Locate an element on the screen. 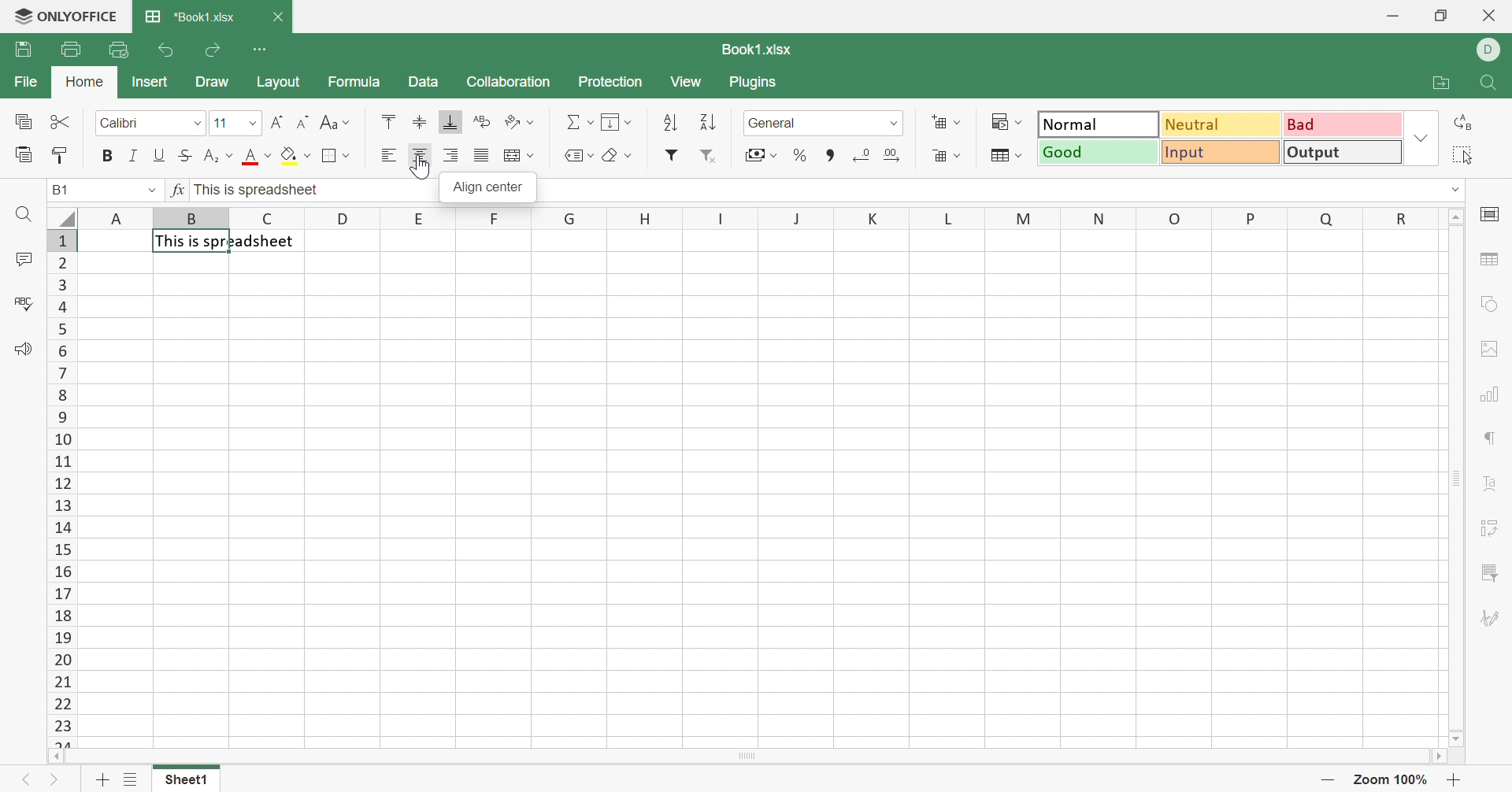 The height and width of the screenshot is (792, 1512). Wrap Text is located at coordinates (481, 120).